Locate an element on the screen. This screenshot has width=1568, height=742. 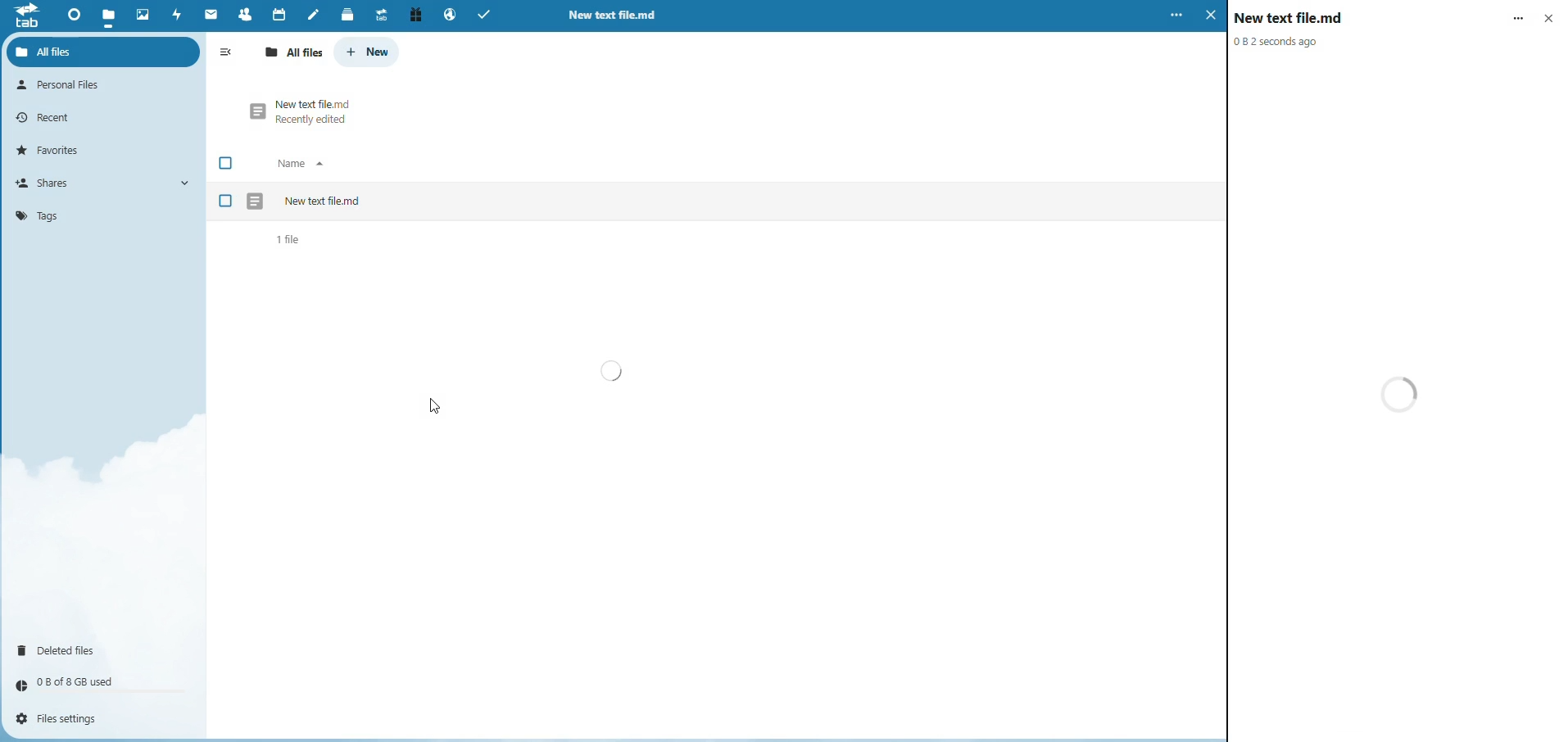
Close is located at coordinates (1550, 16).